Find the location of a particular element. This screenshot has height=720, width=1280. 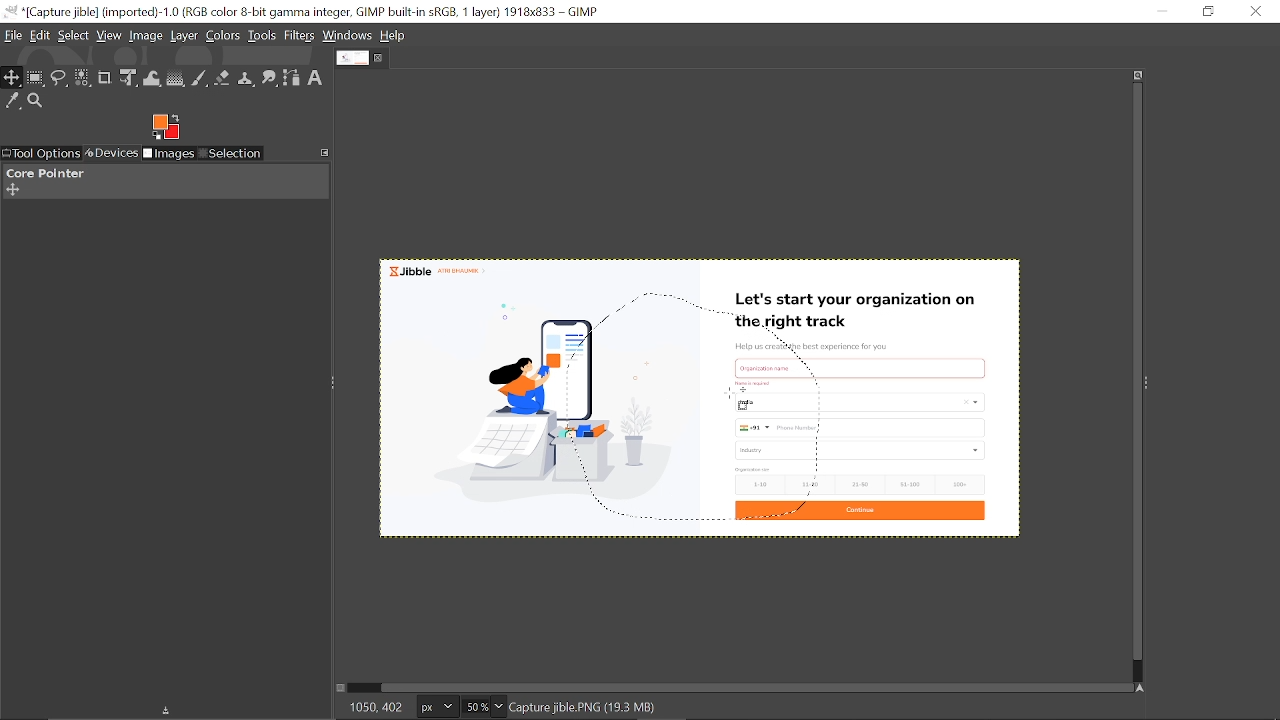

Clone tool is located at coordinates (247, 80).